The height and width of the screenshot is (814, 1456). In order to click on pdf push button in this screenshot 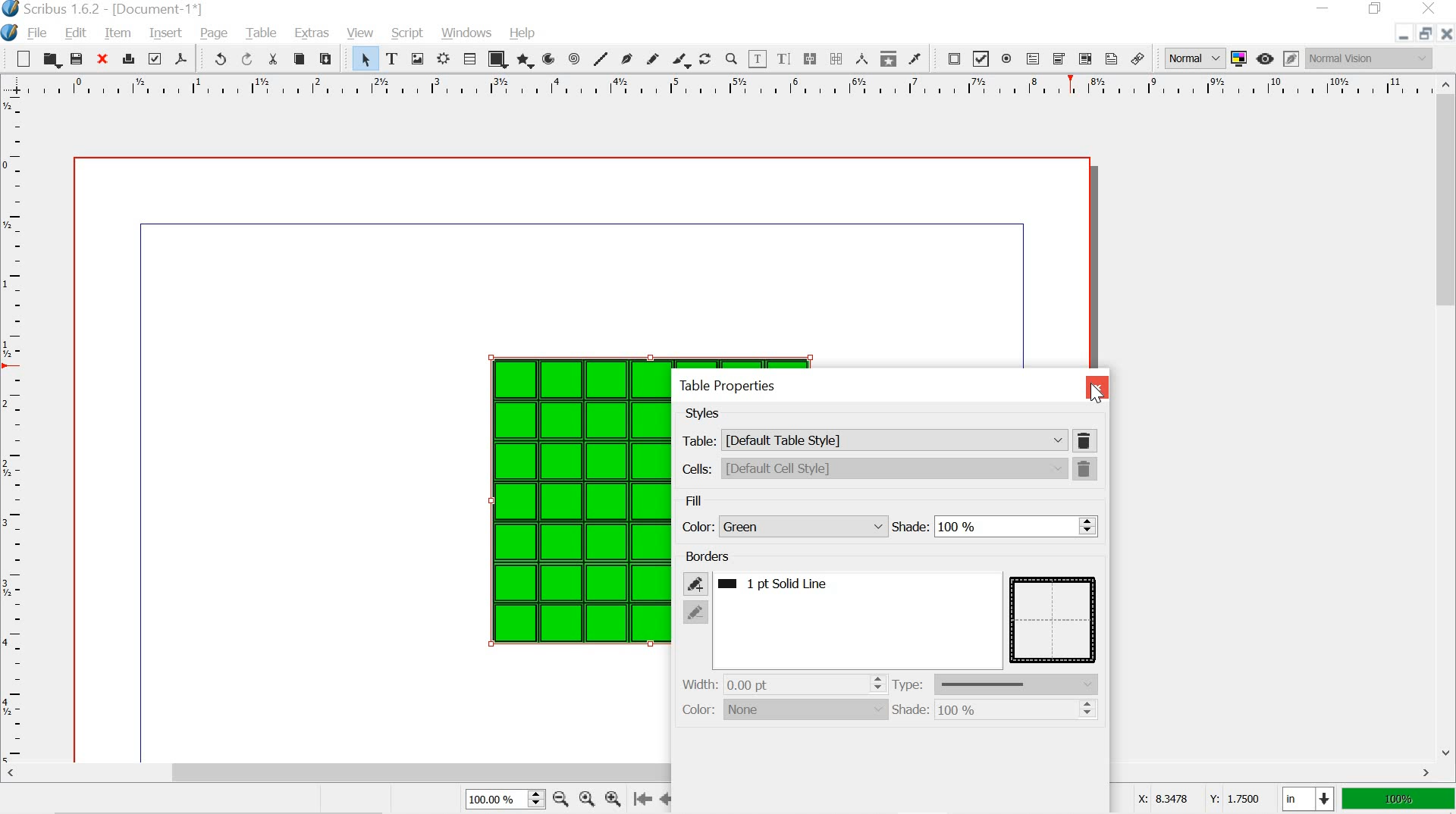, I will do `click(950, 58)`.